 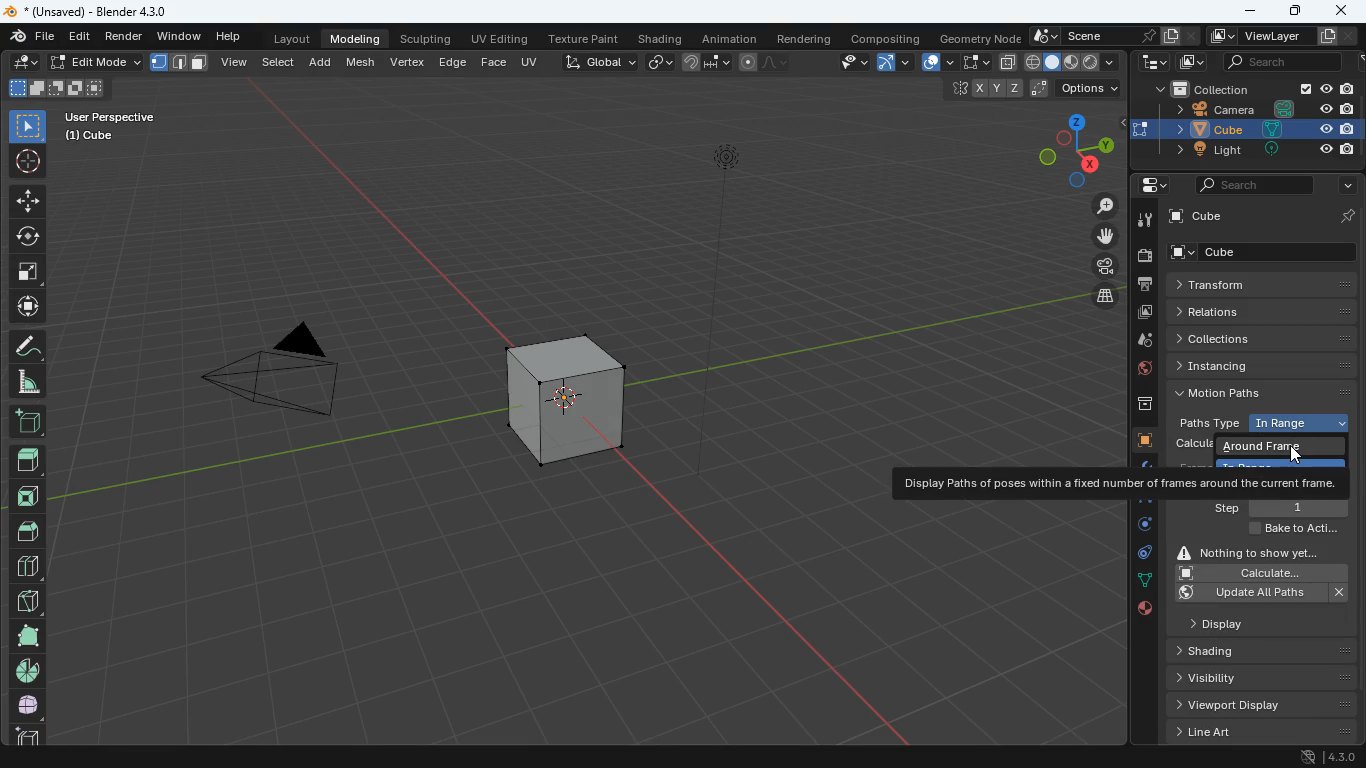 I want to click on Display, so click(x=1241, y=622).